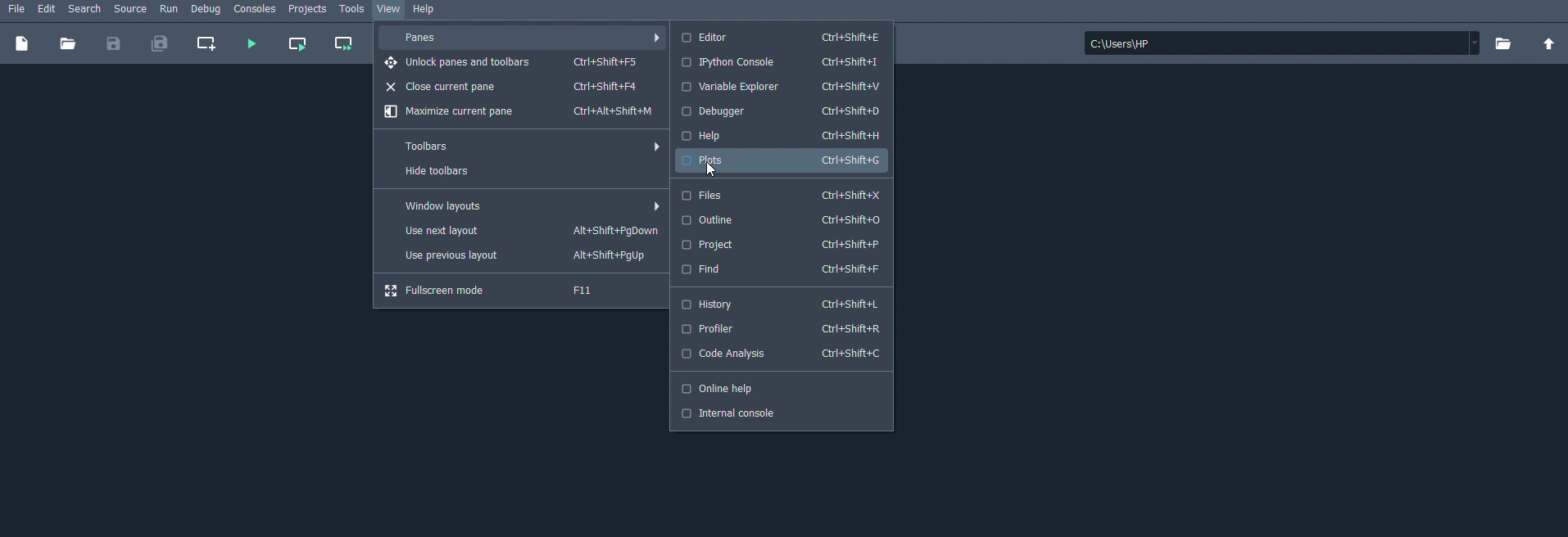  What do you see at coordinates (250, 44) in the screenshot?
I see `Run file` at bounding box center [250, 44].